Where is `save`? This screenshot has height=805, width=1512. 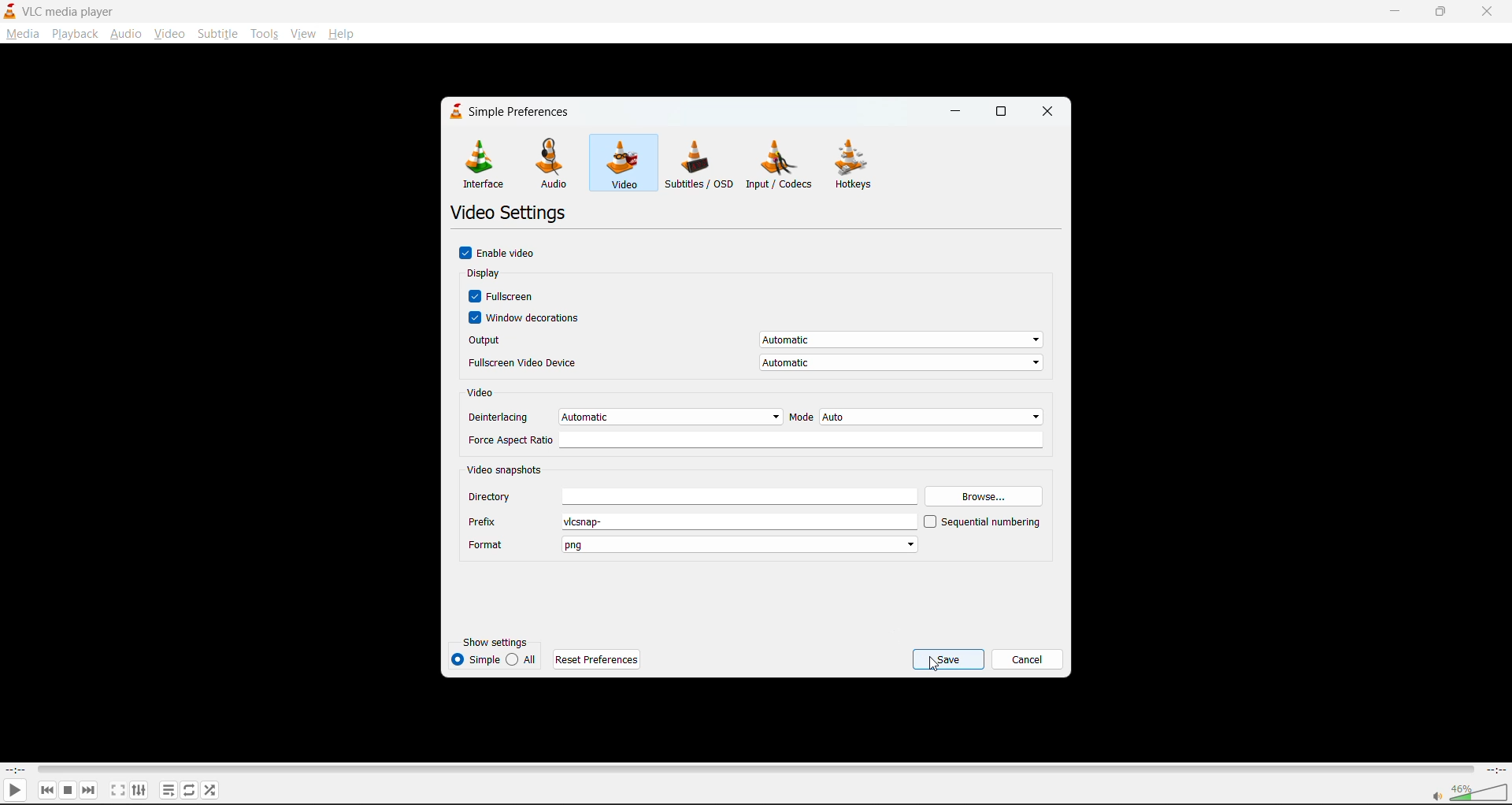 save is located at coordinates (950, 659).